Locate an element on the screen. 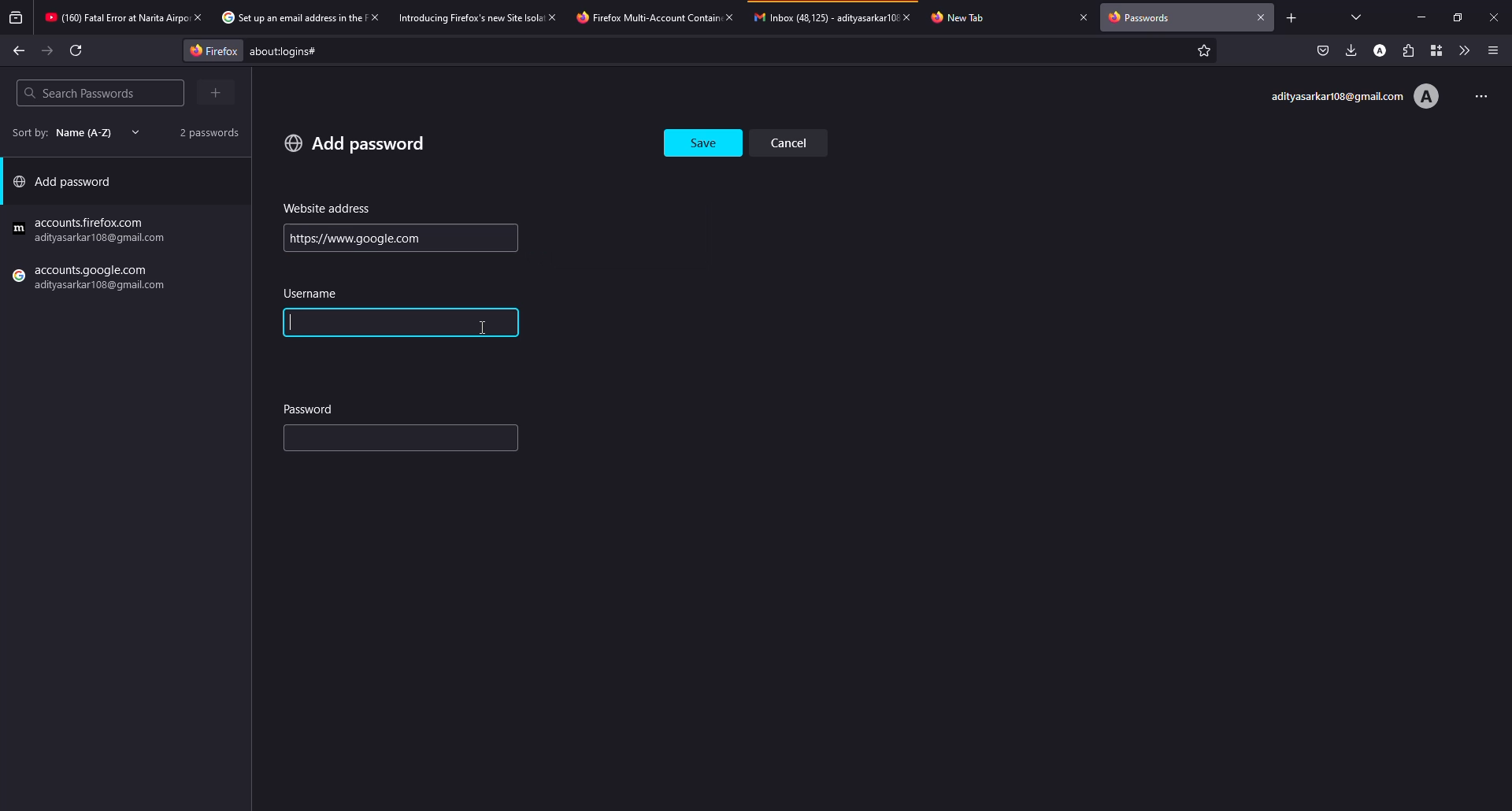 The height and width of the screenshot is (811, 1512). favorites is located at coordinates (1202, 52).